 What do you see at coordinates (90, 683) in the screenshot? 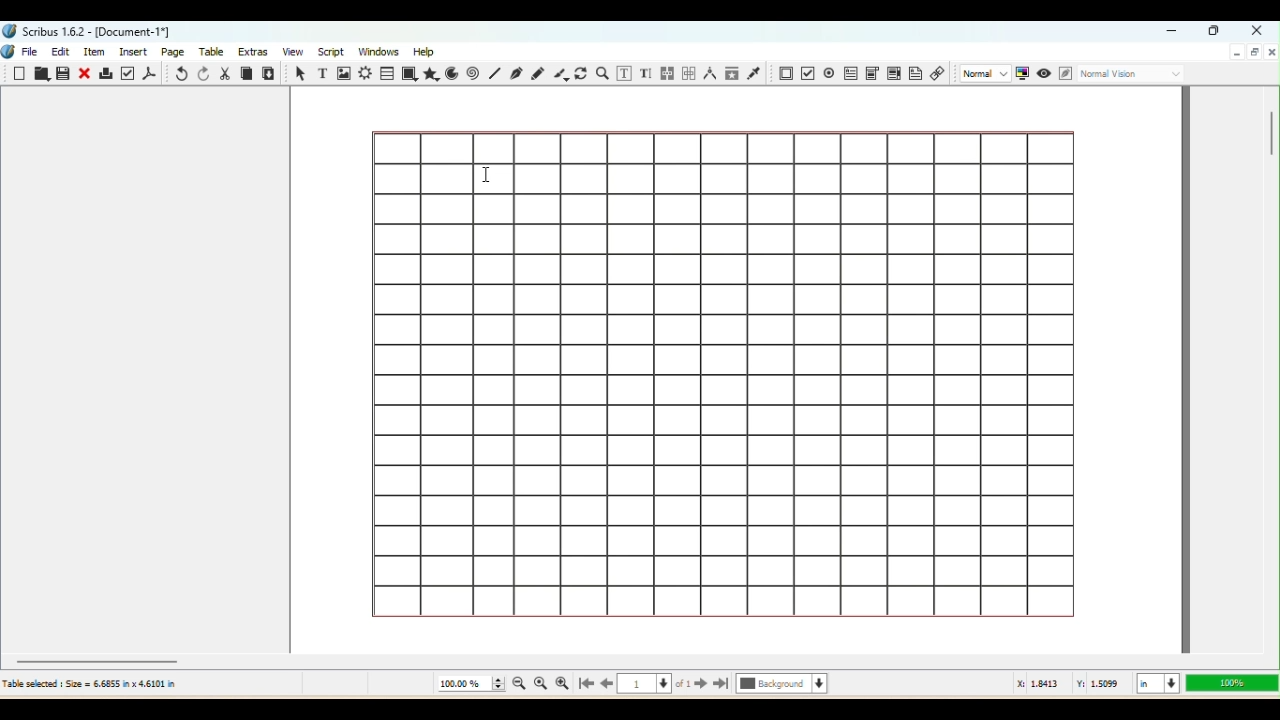
I see `Table selected Size 6.6855 in x 4.6101 in` at bounding box center [90, 683].